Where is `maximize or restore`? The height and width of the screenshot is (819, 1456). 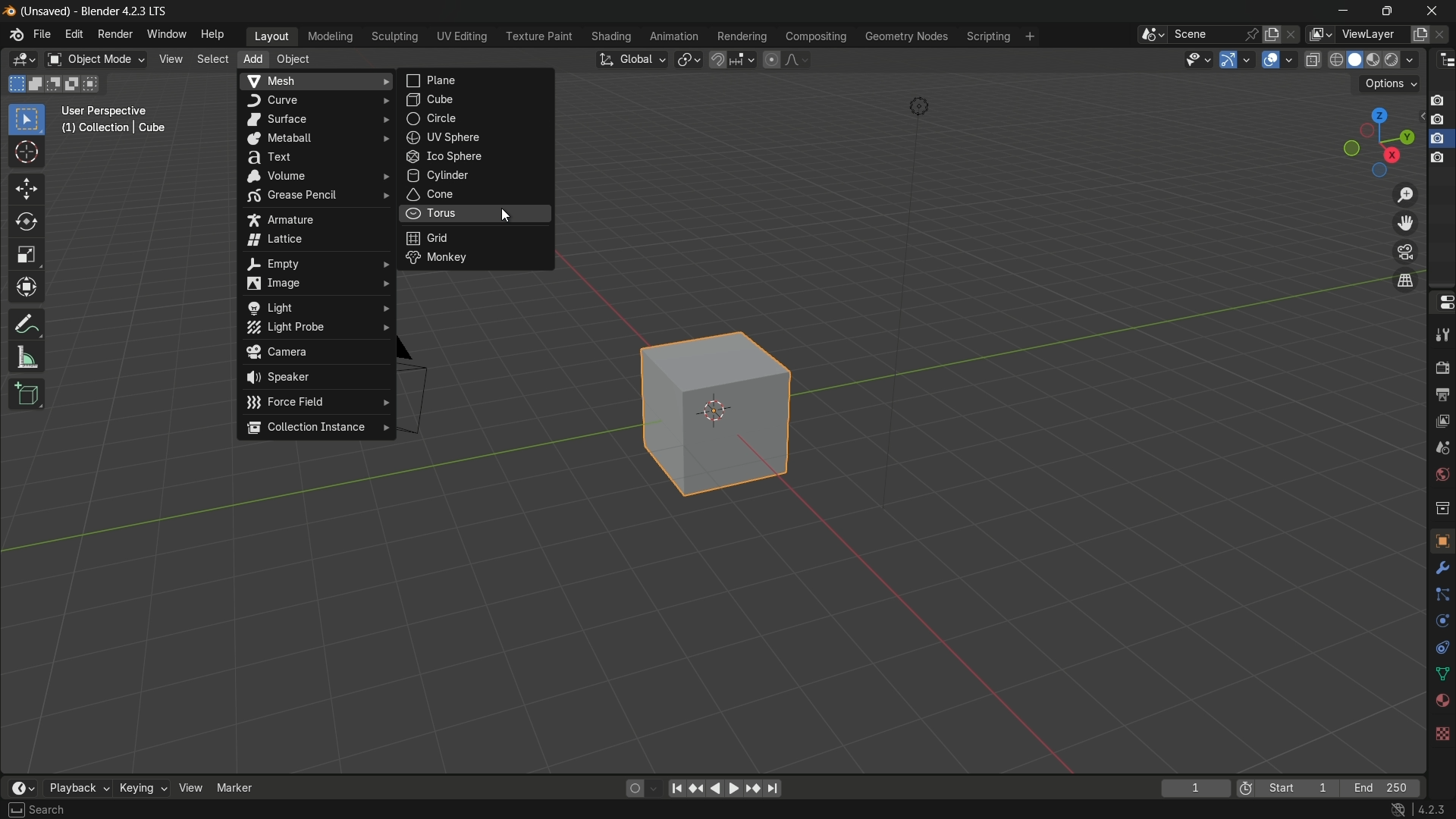
maximize or restore is located at coordinates (1388, 11).